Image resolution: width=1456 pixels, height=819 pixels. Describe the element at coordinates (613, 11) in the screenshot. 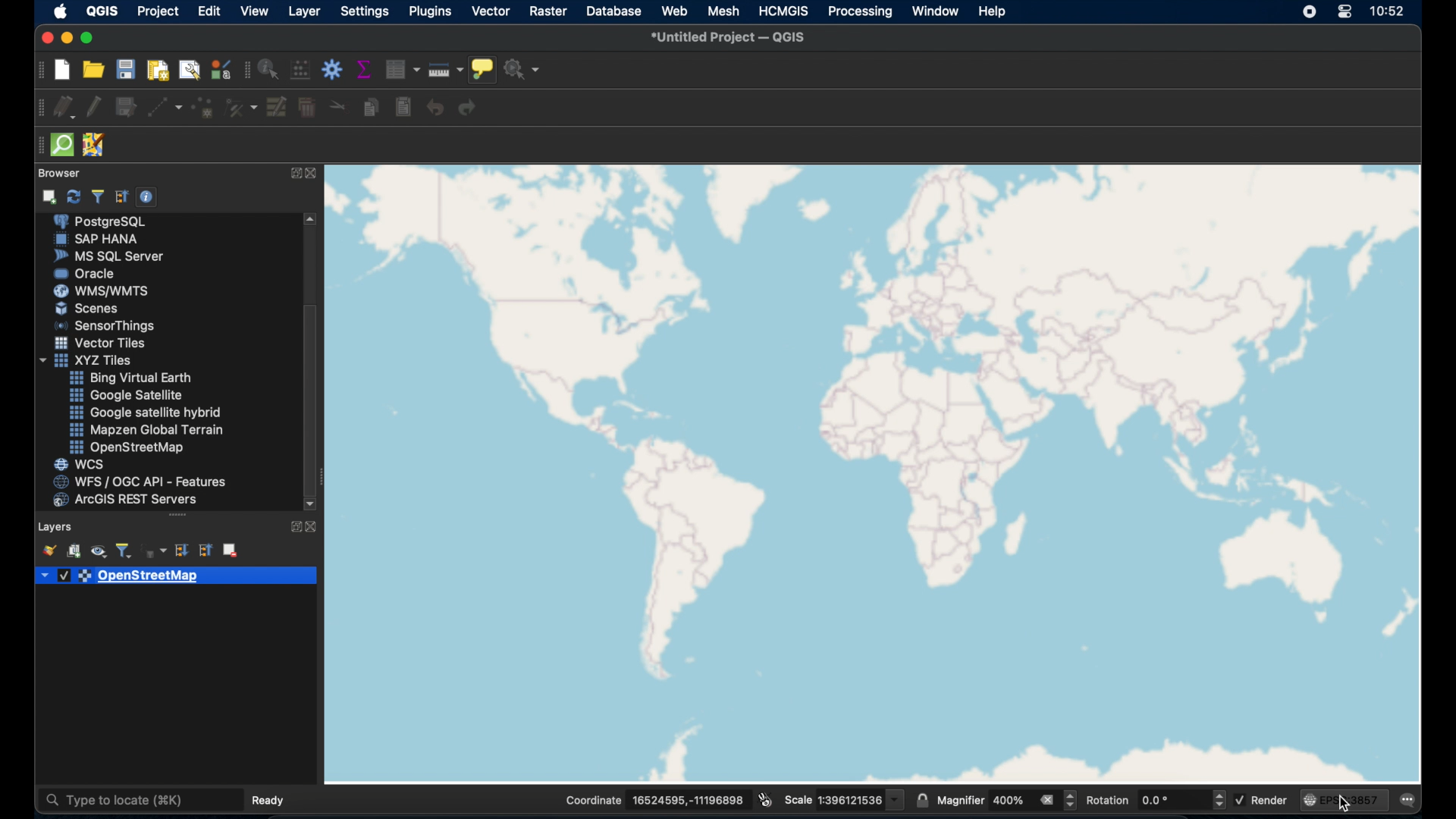

I see `database` at that location.